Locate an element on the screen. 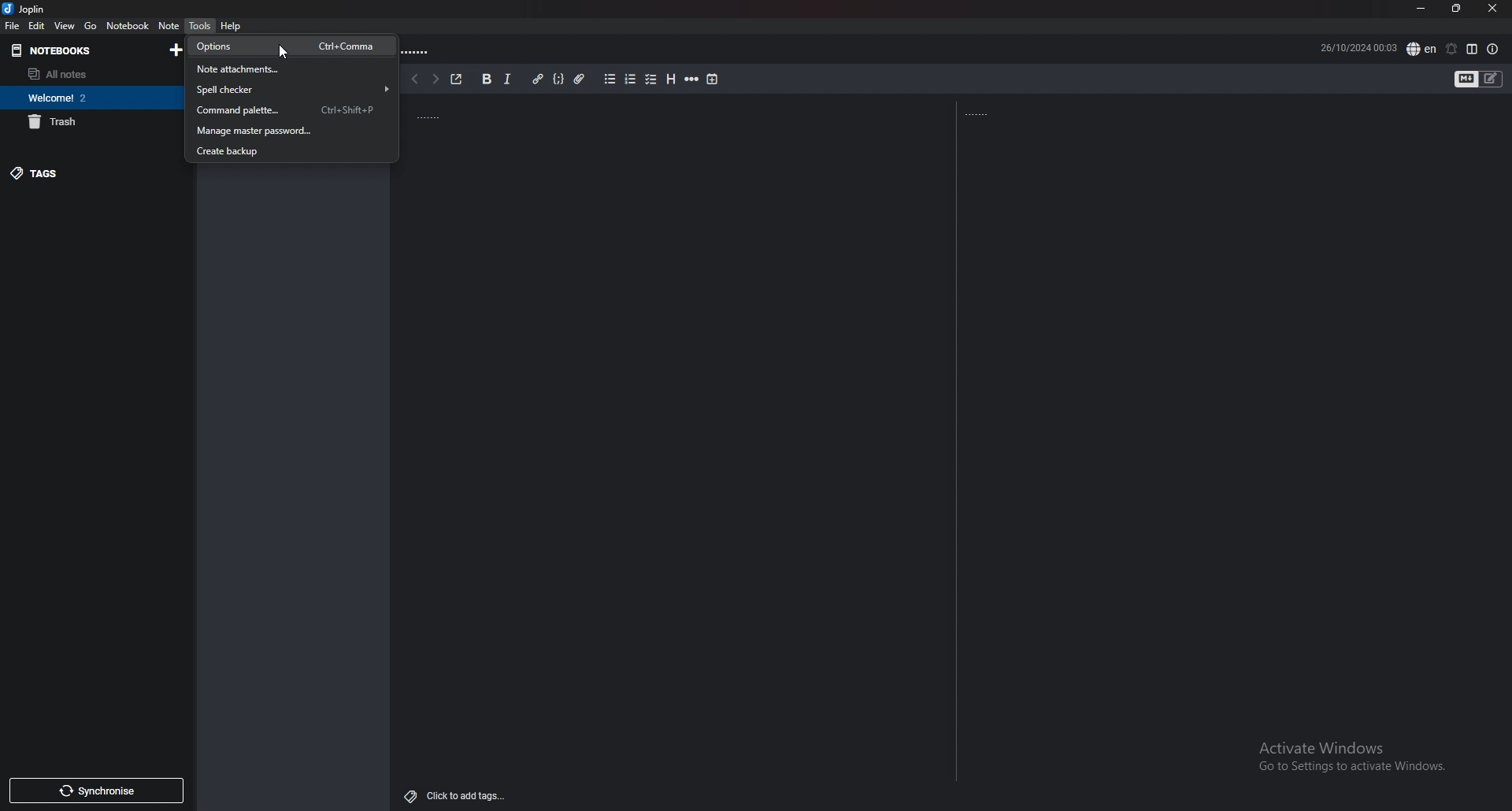  add hyperlink is located at coordinates (540, 78).